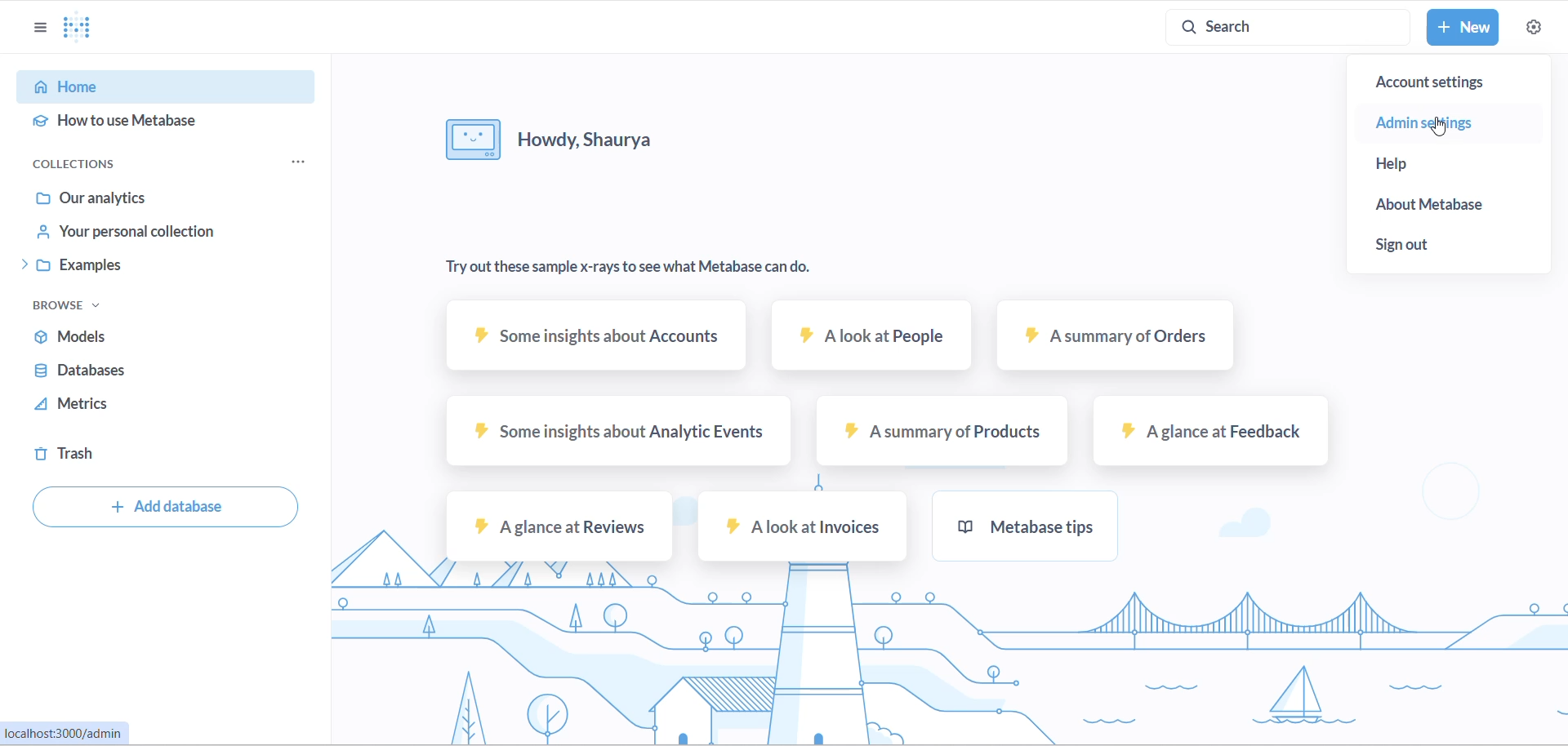 The width and height of the screenshot is (1568, 746). I want to click on METRICS, so click(117, 412).